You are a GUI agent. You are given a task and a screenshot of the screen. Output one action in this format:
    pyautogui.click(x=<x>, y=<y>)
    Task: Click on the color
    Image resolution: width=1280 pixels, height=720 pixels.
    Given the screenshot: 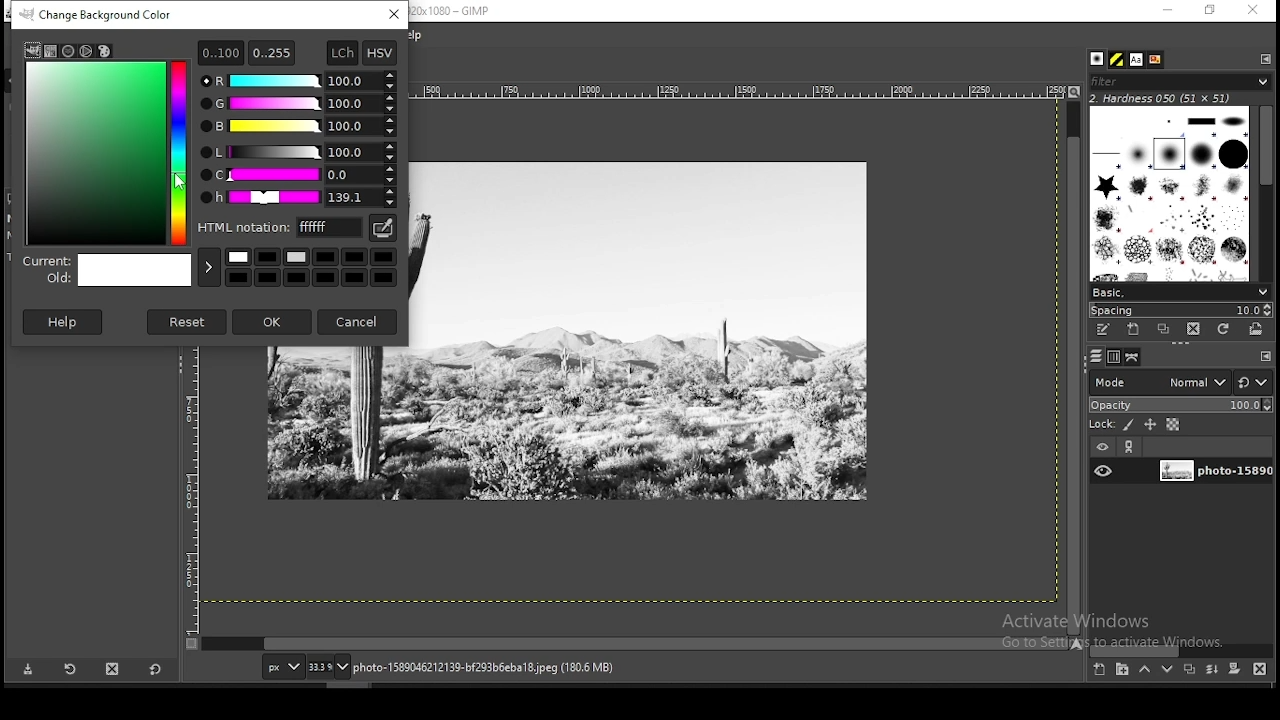 What is the action you would take?
    pyautogui.click(x=314, y=265)
    